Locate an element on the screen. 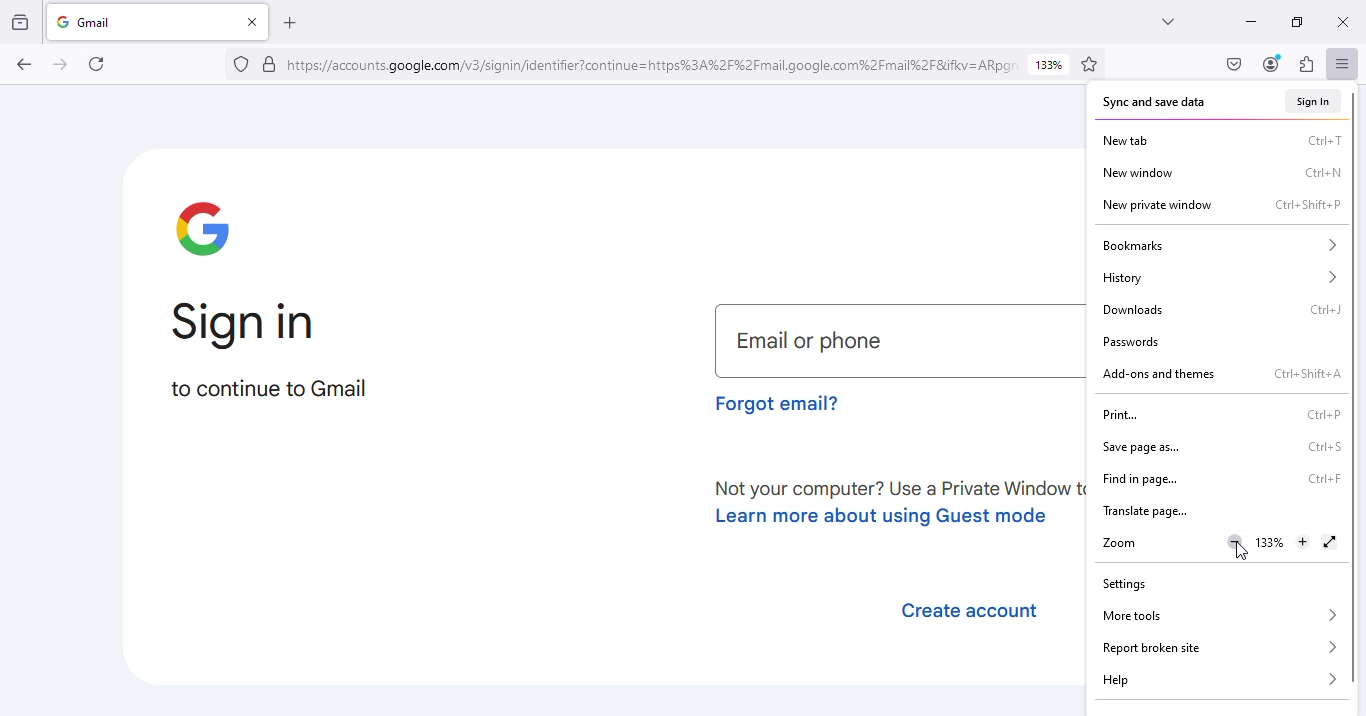 The image size is (1366, 716). shortcut for save page as is located at coordinates (1322, 446).